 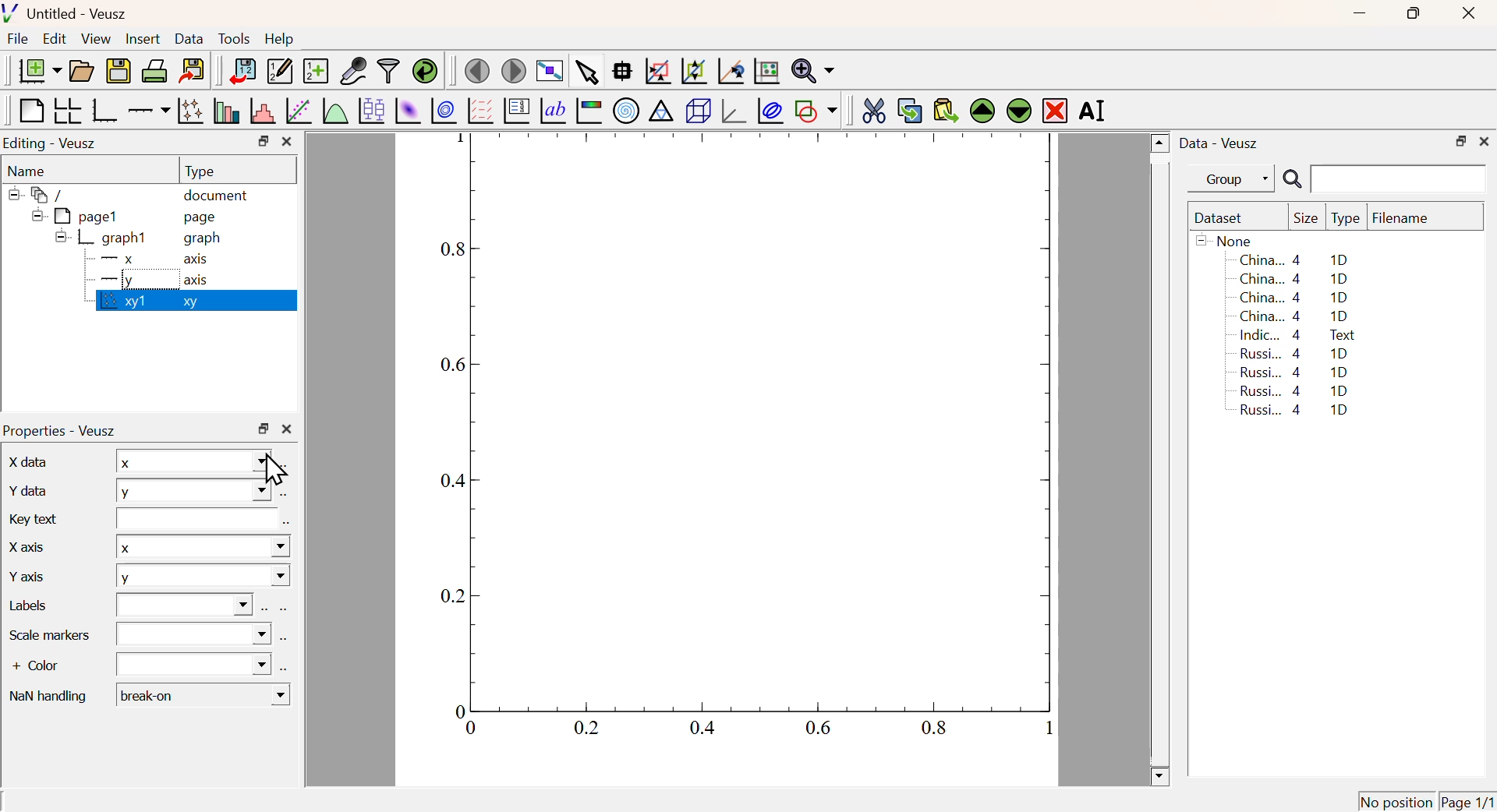 I want to click on Type, so click(x=200, y=171).